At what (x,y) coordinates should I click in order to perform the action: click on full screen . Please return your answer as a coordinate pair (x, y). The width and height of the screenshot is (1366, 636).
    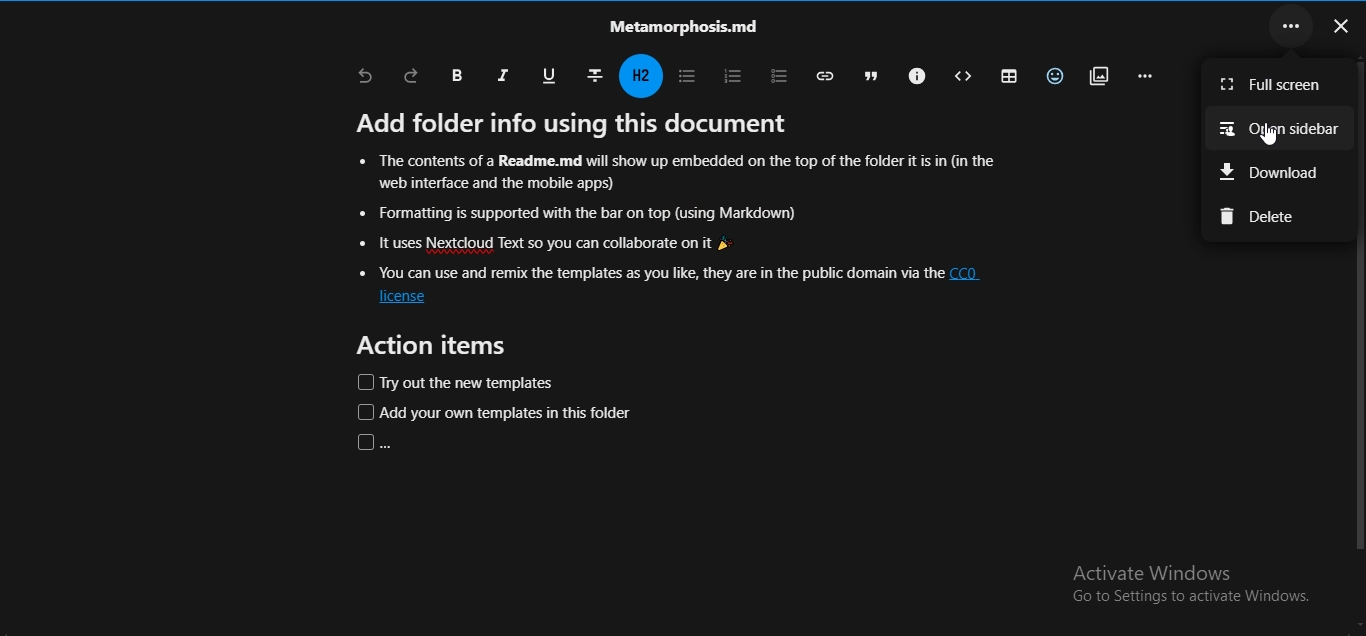
    Looking at the image, I should click on (1276, 84).